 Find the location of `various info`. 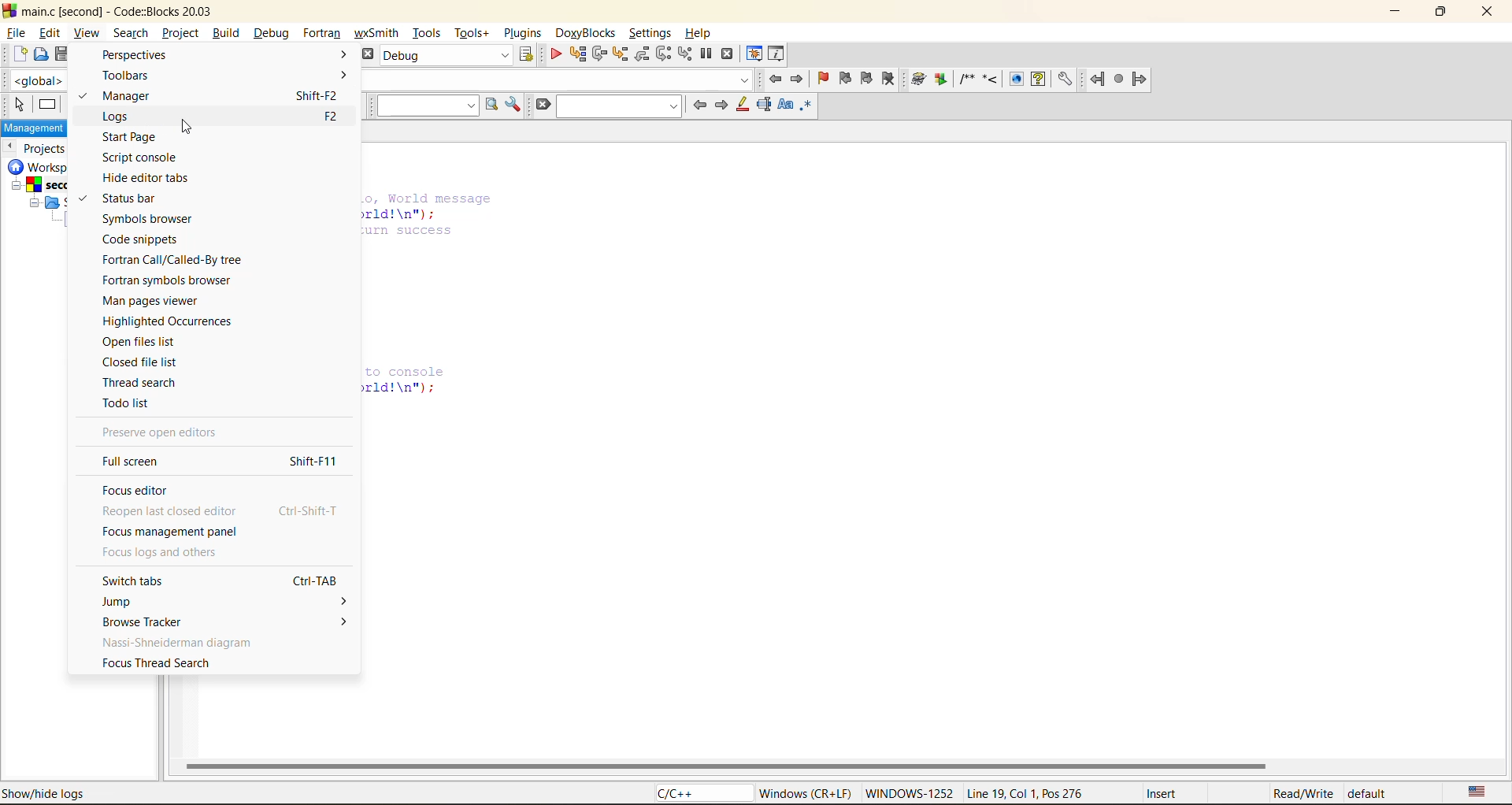

various info is located at coordinates (775, 53).